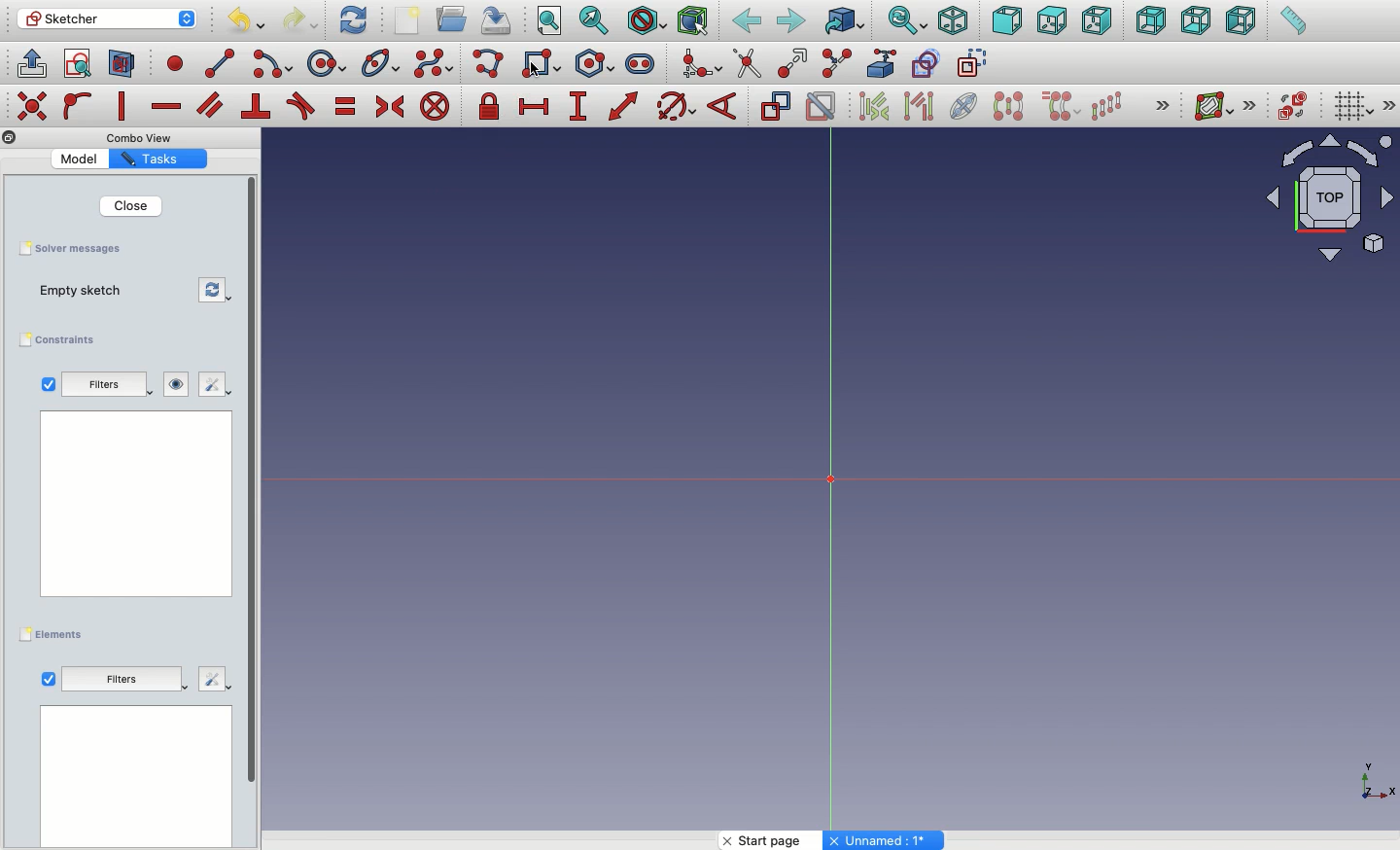 This screenshot has width=1400, height=850. Describe the element at coordinates (535, 105) in the screenshot. I see `constrain horizontal distance` at that location.